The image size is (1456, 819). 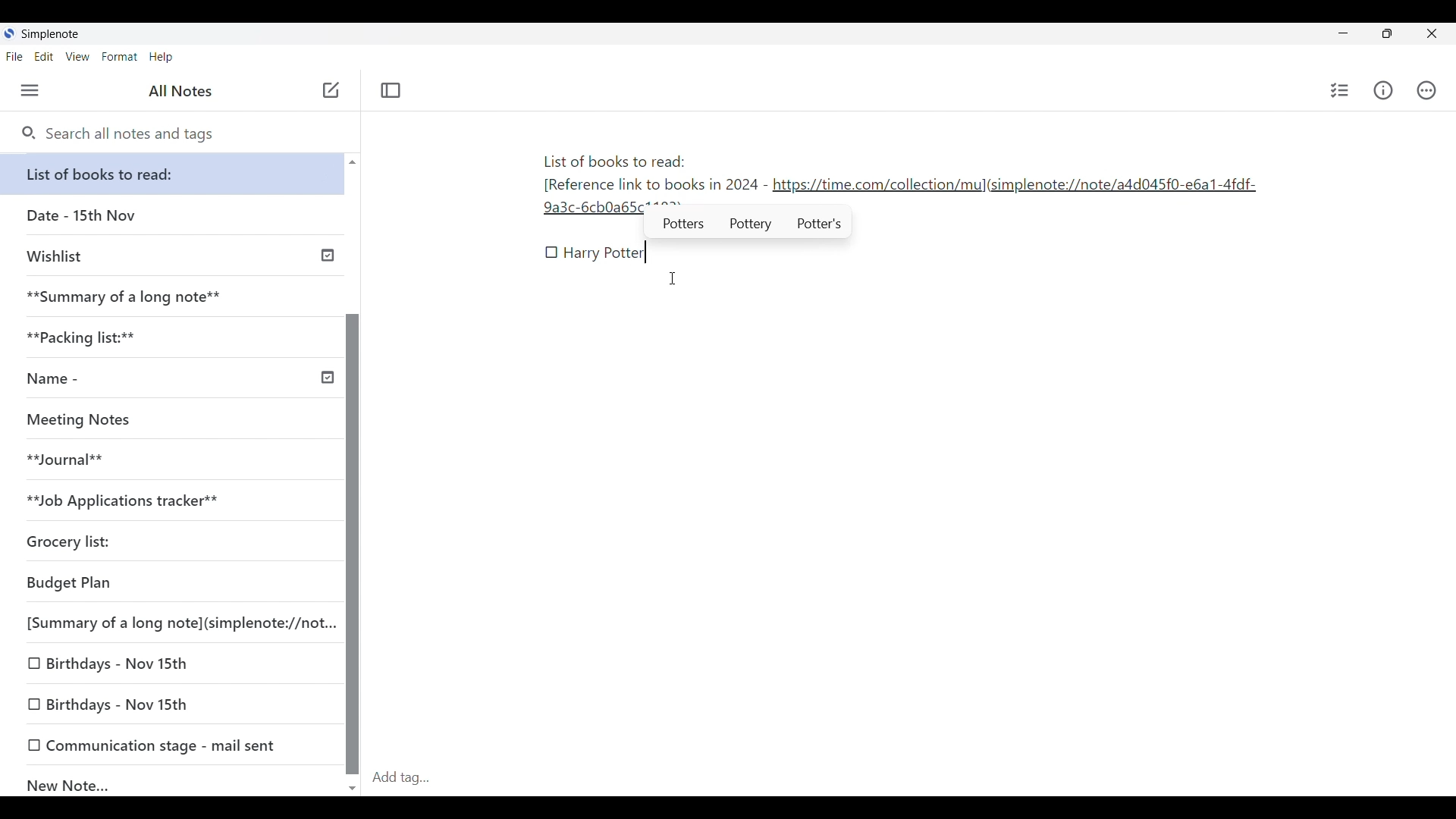 What do you see at coordinates (44, 57) in the screenshot?
I see `Edit` at bounding box center [44, 57].